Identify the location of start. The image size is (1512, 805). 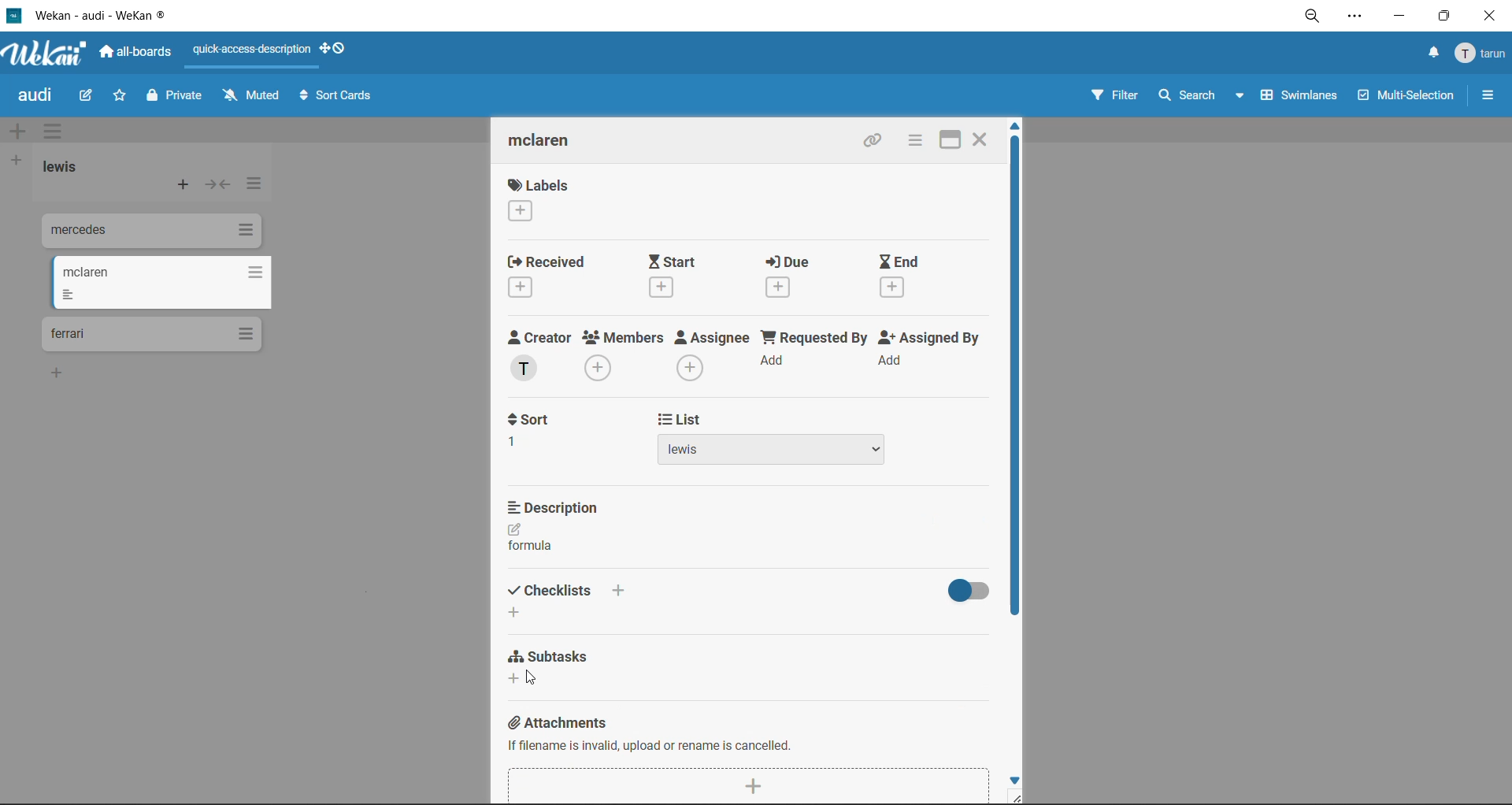
(678, 276).